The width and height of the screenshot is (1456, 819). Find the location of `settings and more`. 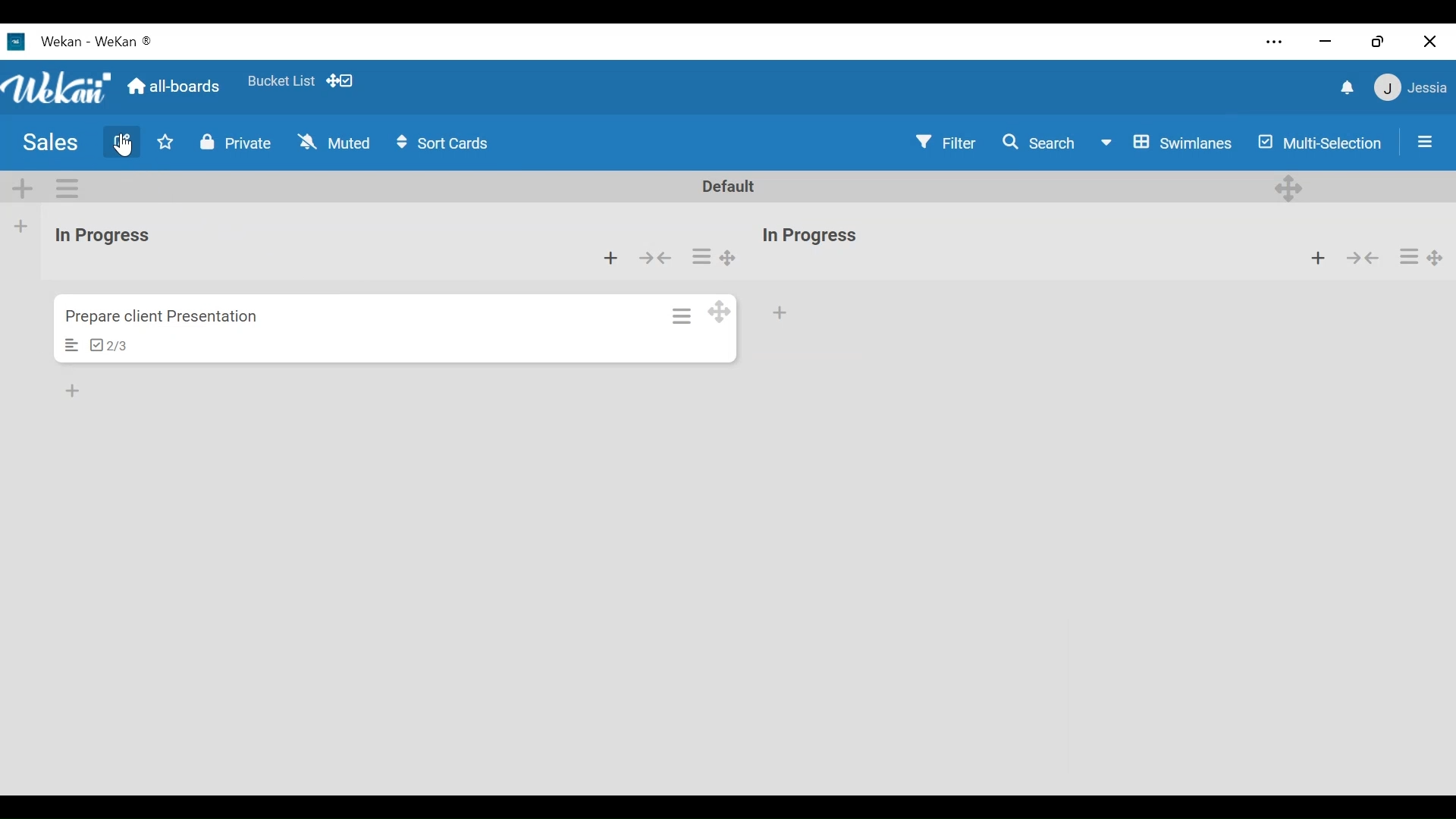

settings and more is located at coordinates (1272, 42).